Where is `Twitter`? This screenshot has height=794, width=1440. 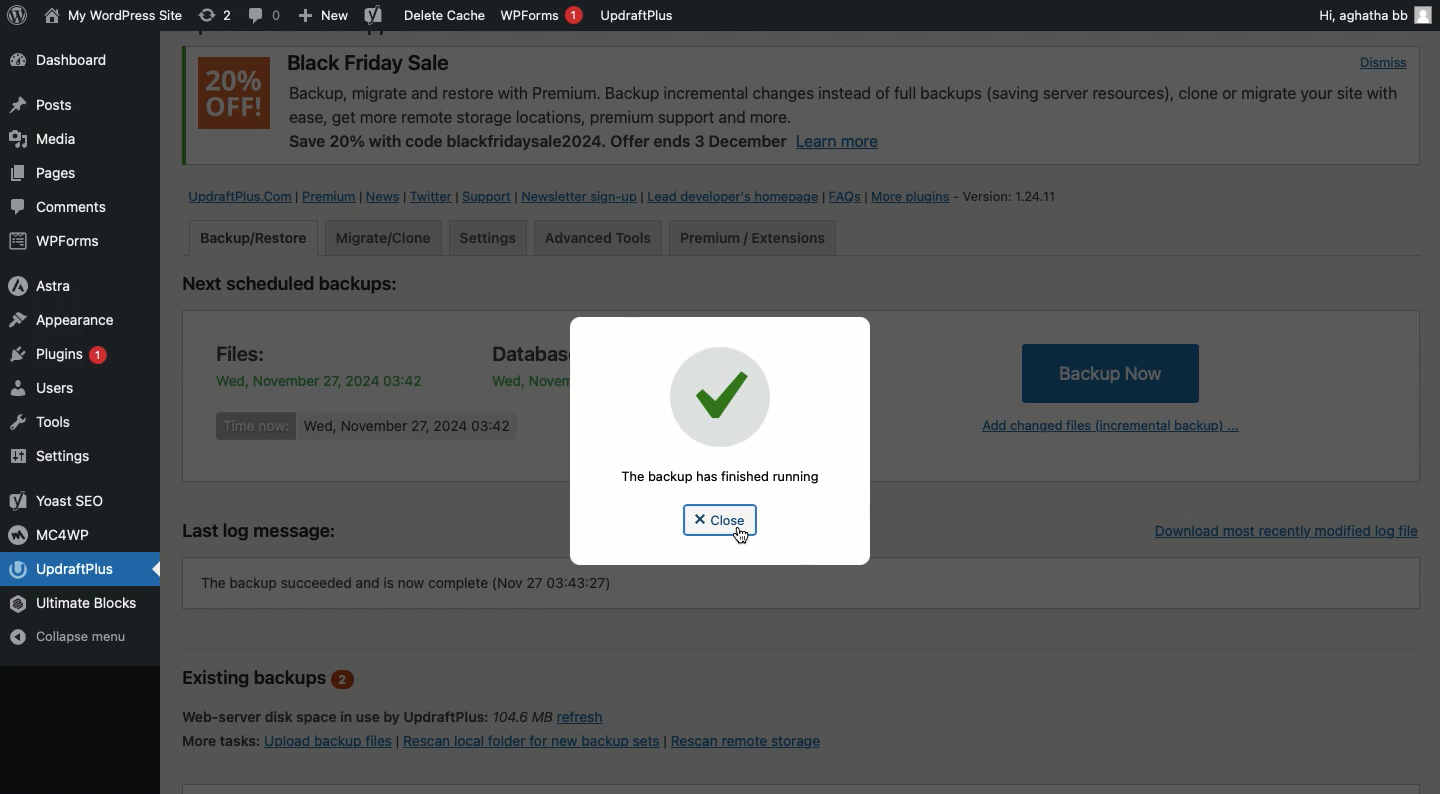
Twitter is located at coordinates (432, 197).